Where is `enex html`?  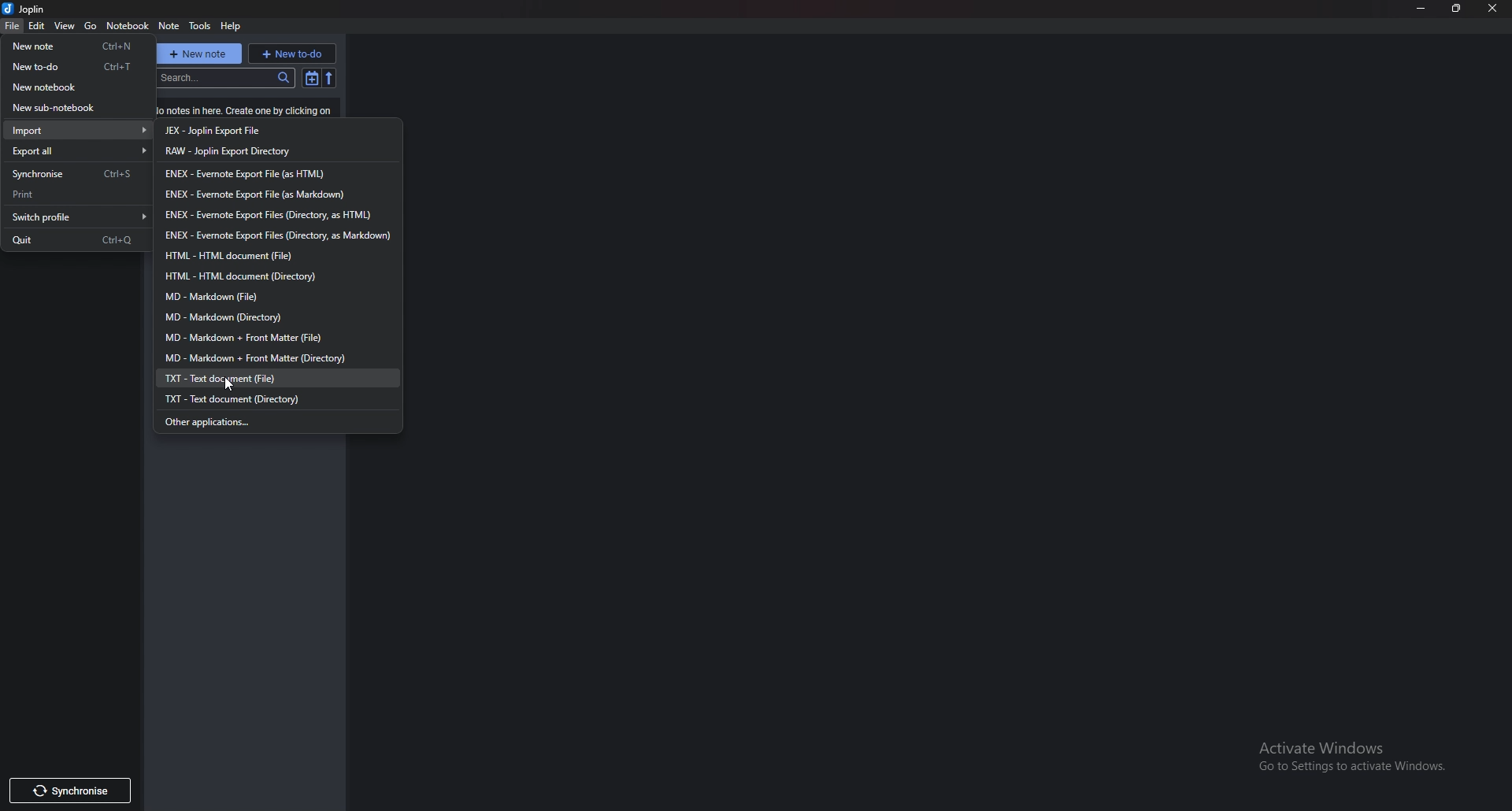
enex html is located at coordinates (245, 173).